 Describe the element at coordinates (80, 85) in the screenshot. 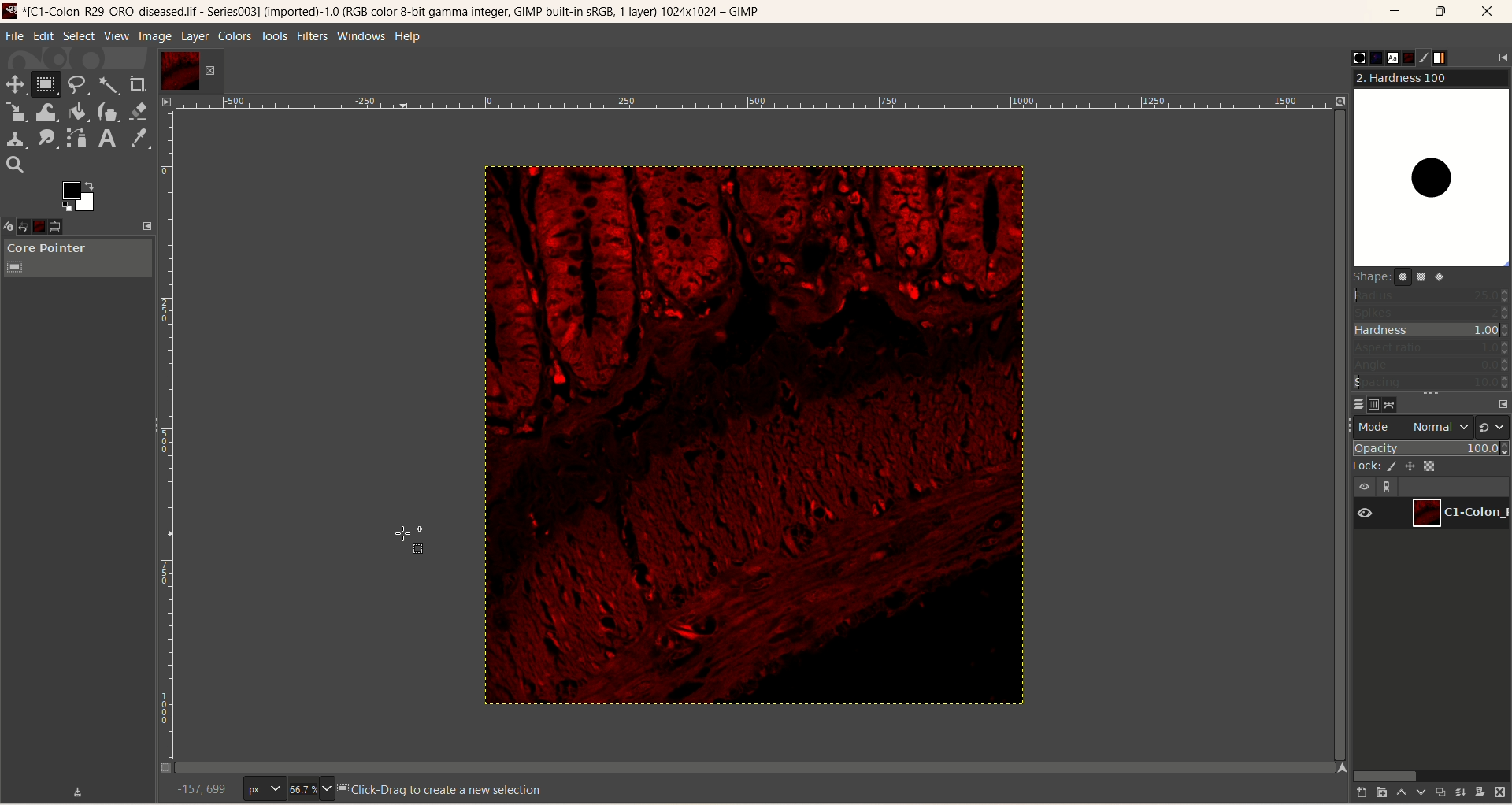

I see `free select tool` at that location.